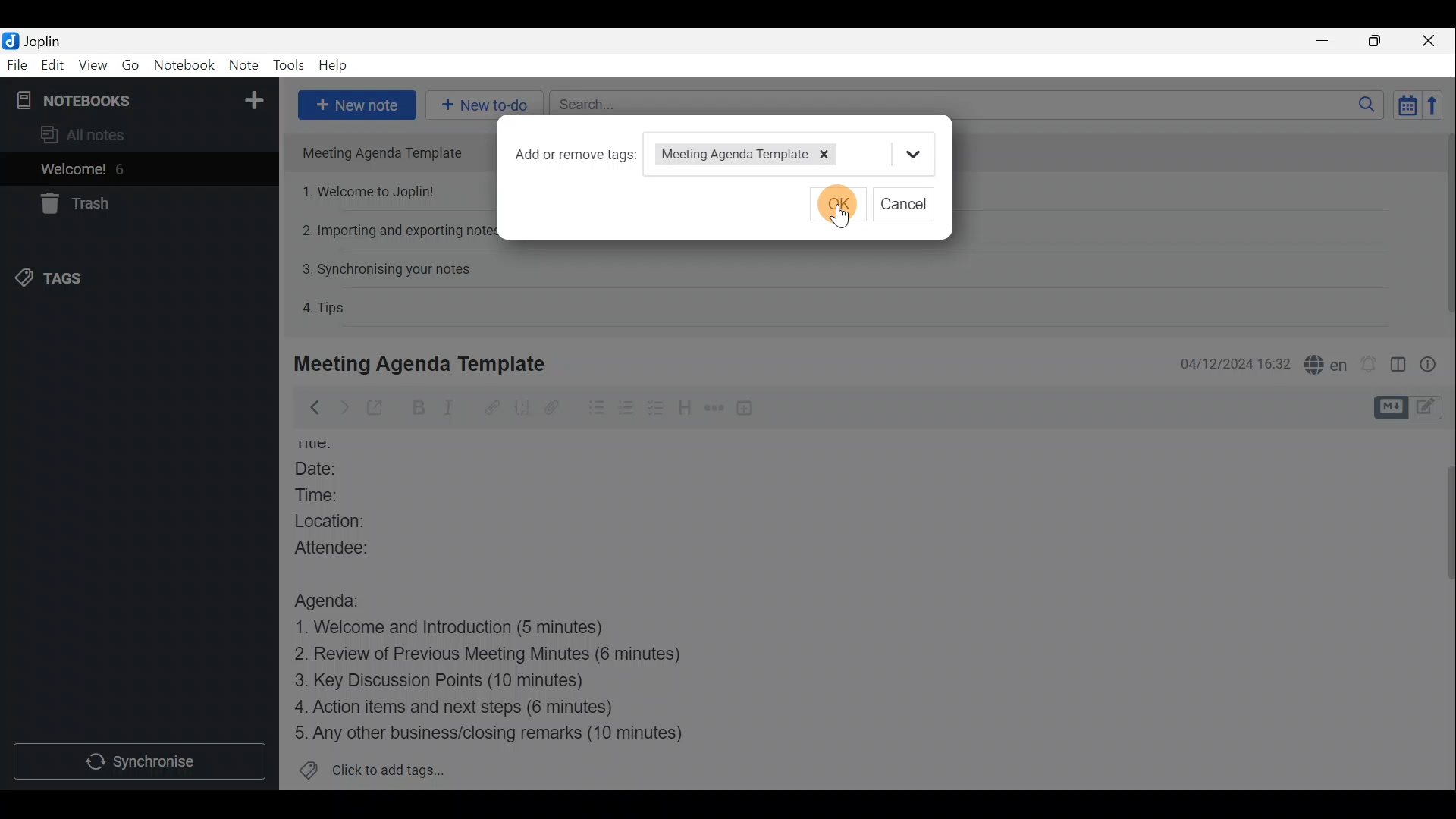 The height and width of the screenshot is (819, 1456). What do you see at coordinates (903, 200) in the screenshot?
I see `cancel` at bounding box center [903, 200].